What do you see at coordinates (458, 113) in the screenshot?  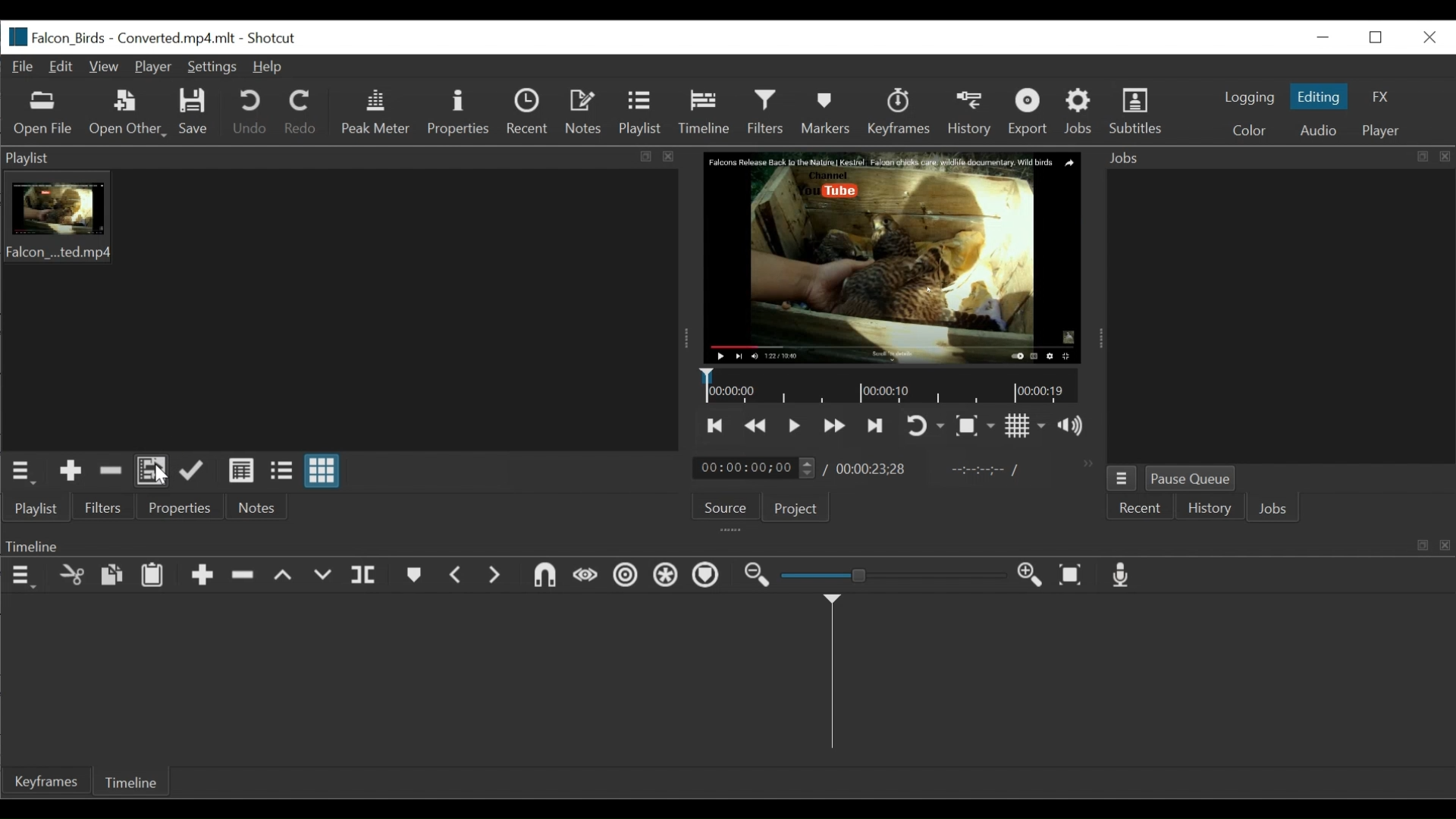 I see `Properties` at bounding box center [458, 113].